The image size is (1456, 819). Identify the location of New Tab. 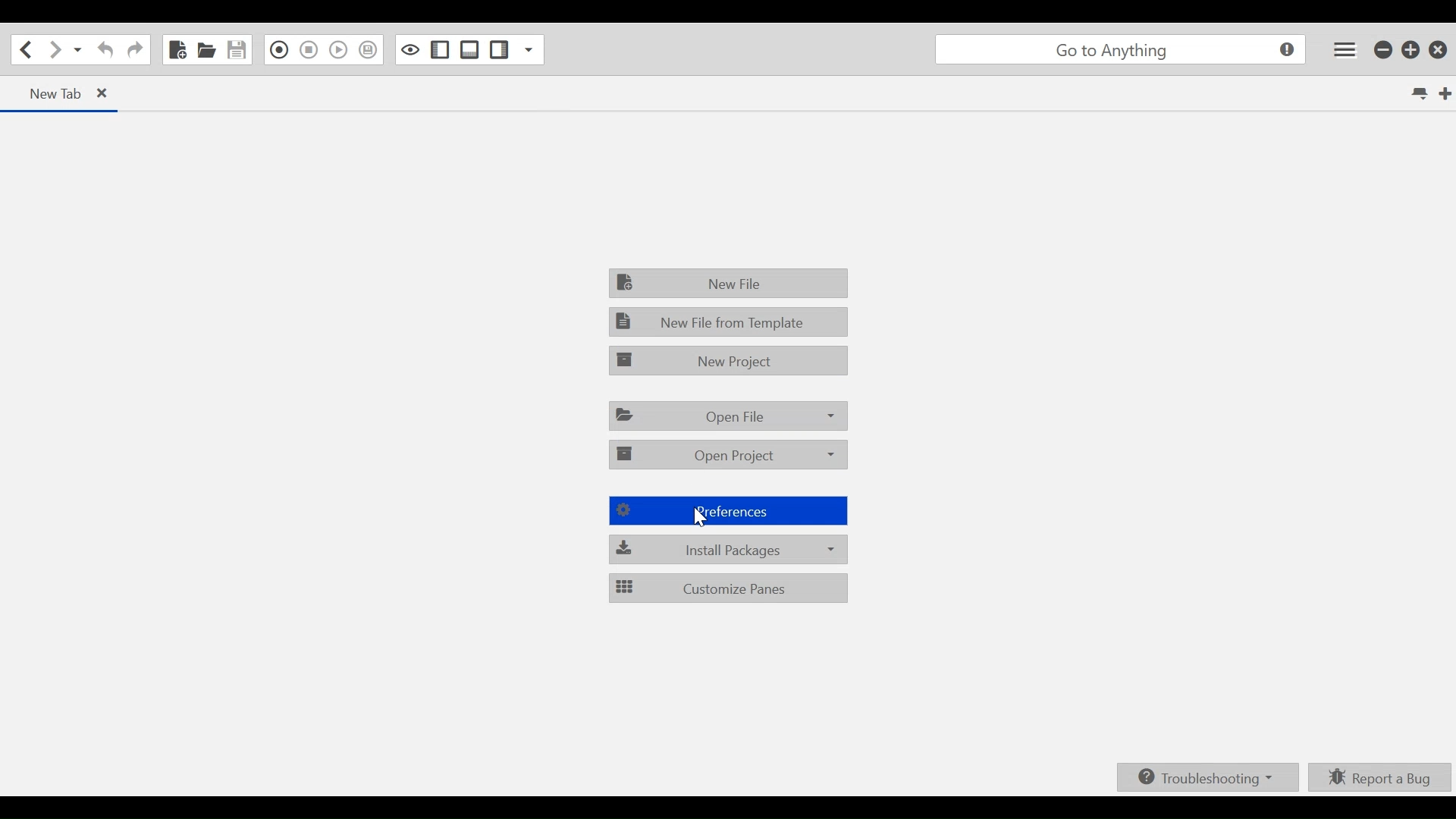
(1443, 93).